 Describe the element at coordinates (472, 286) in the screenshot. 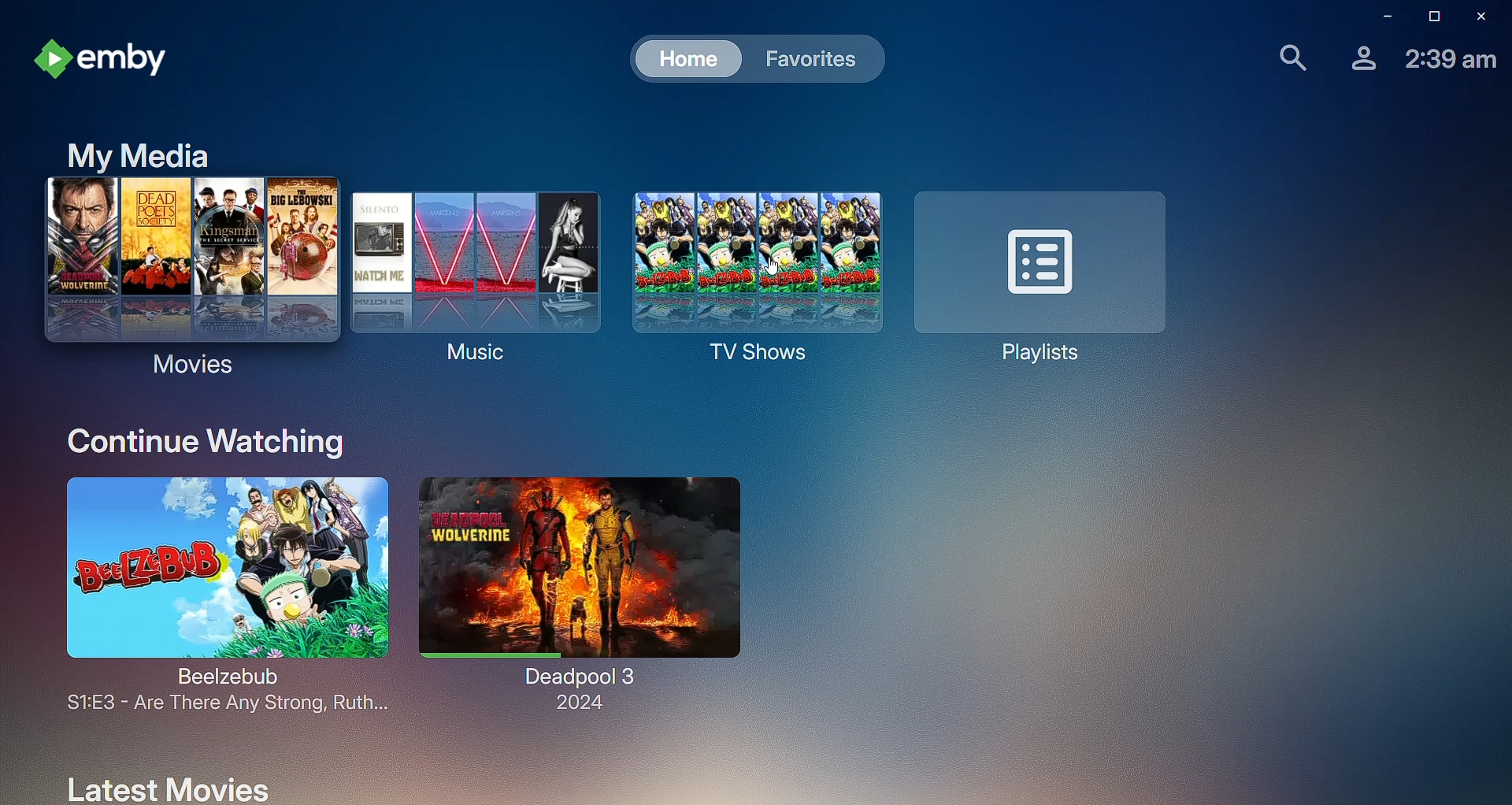

I see `Music` at that location.